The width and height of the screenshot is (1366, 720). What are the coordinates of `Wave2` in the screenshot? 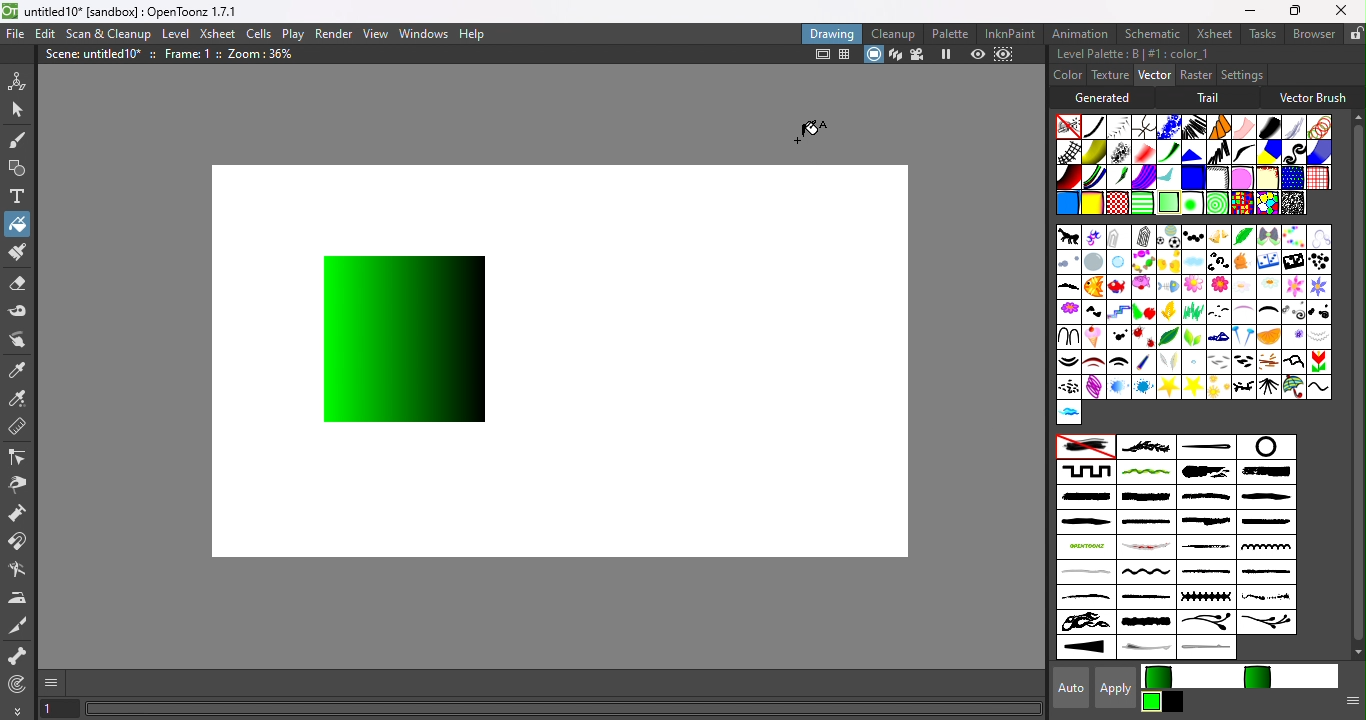 It's located at (1068, 413).